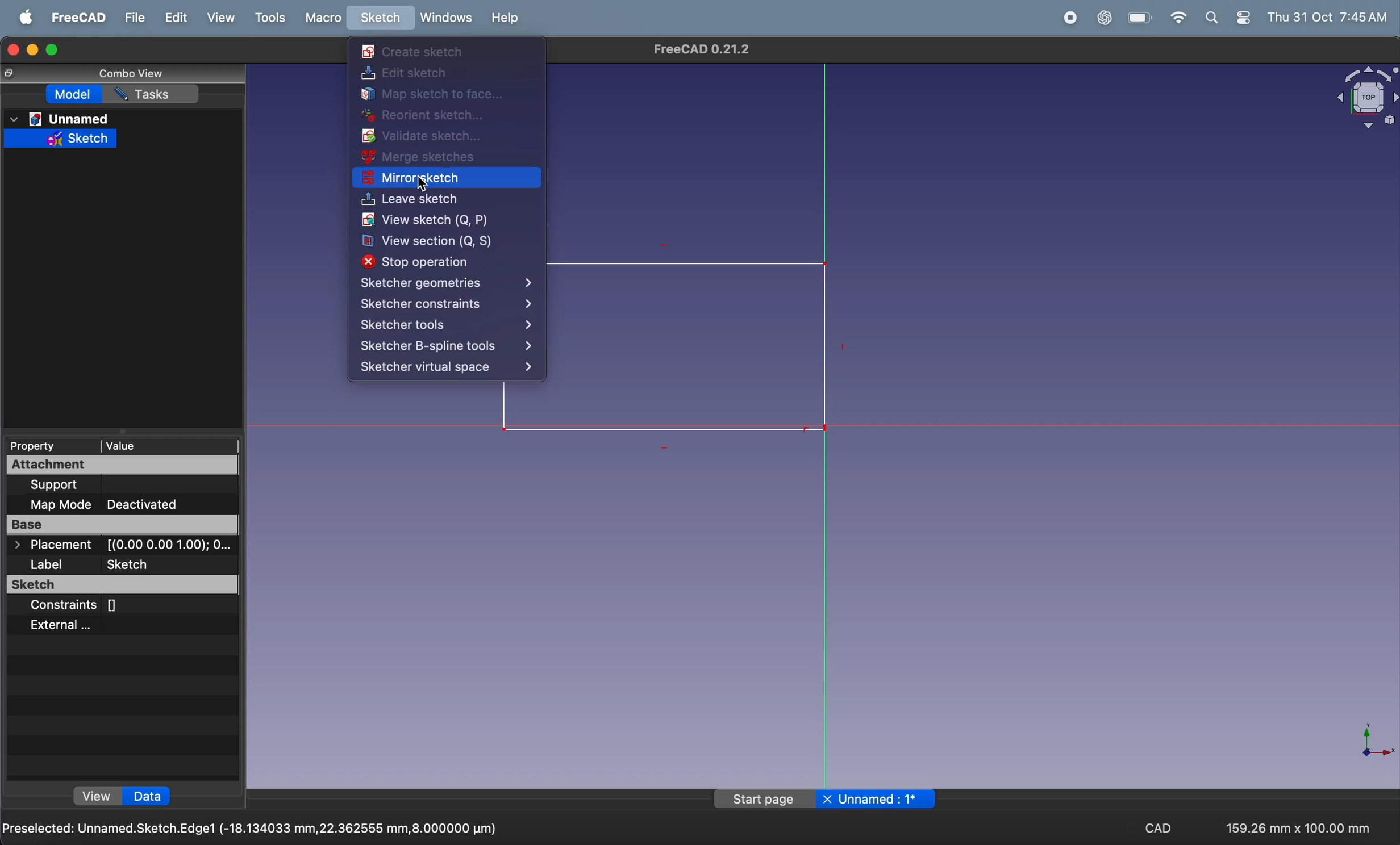 This screenshot has height=845, width=1400. I want to click on help, so click(508, 19).